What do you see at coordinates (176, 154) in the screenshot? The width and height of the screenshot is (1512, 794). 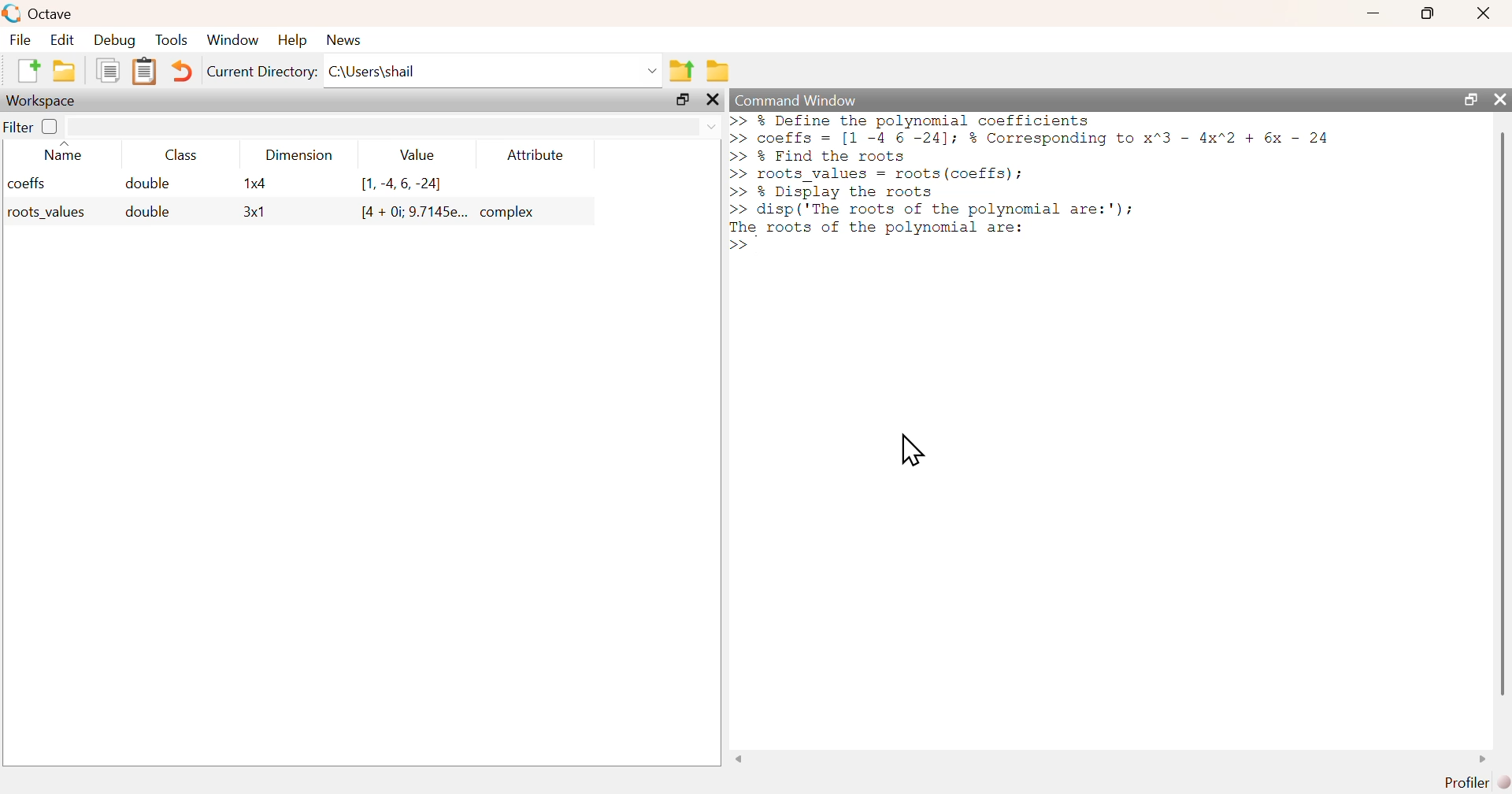 I see `Class` at bounding box center [176, 154].